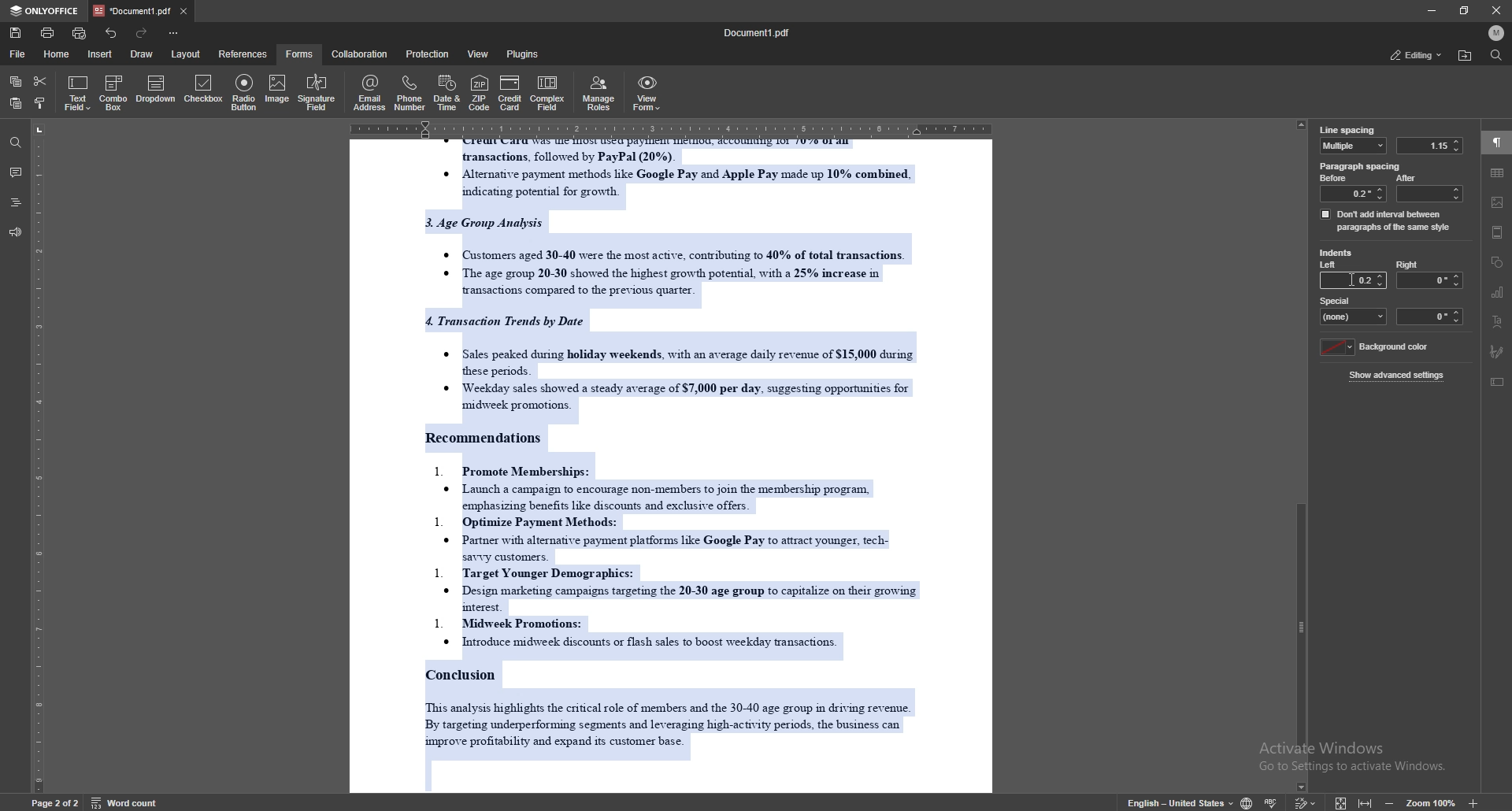  I want to click on email address, so click(370, 92).